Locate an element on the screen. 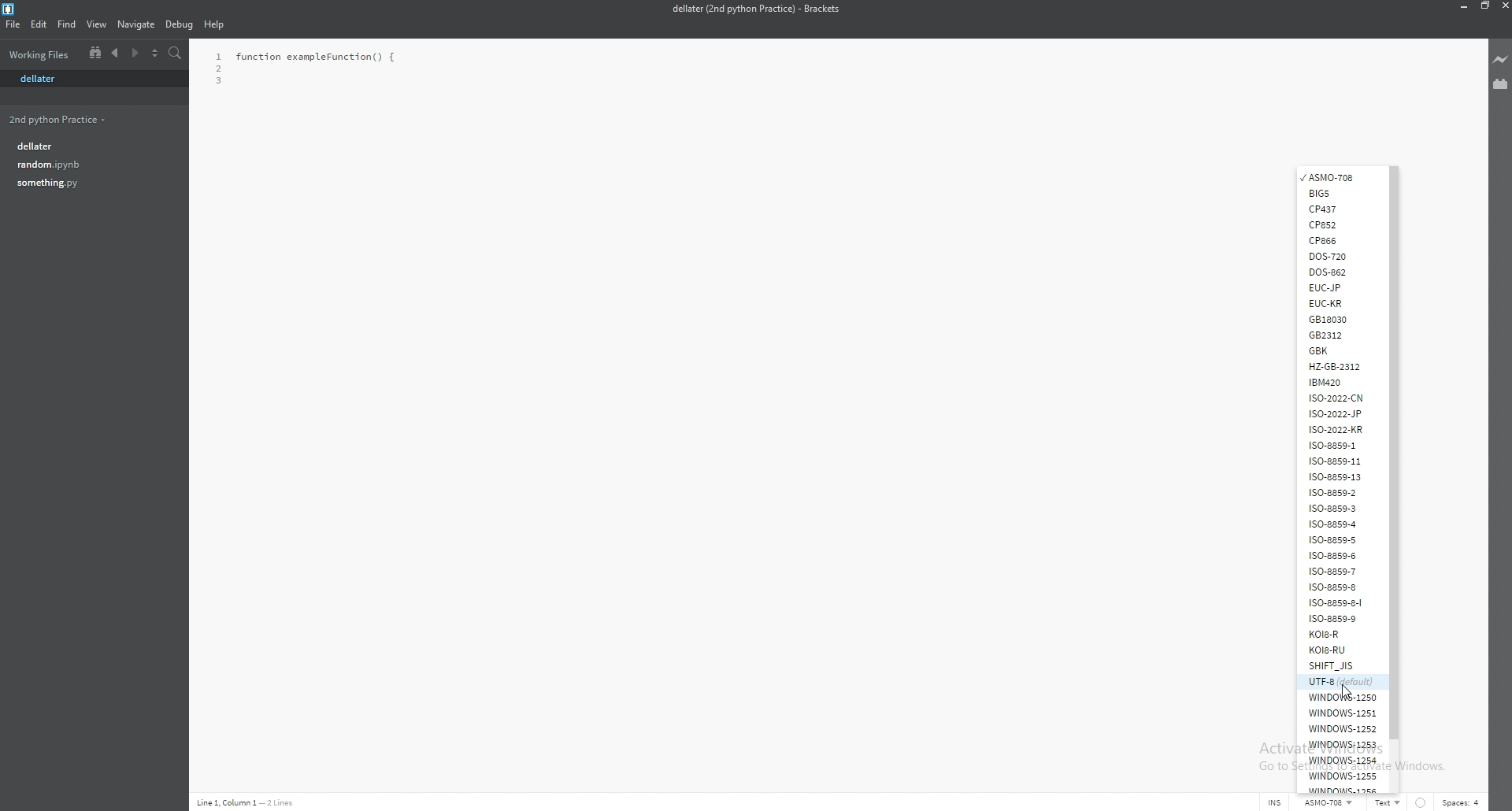  iso-8859-9 is located at coordinates (1342, 618).